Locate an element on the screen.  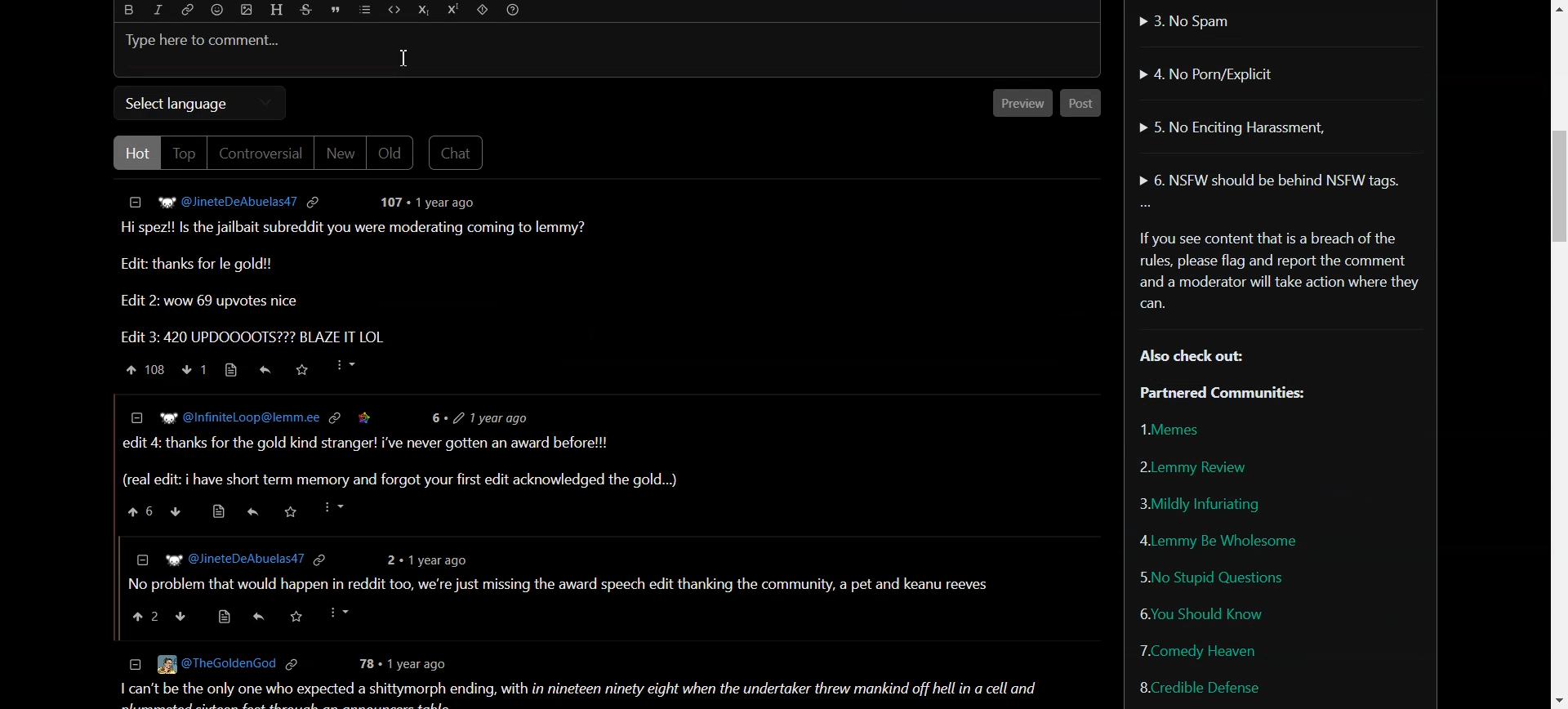
Strikethrough is located at coordinates (306, 10).